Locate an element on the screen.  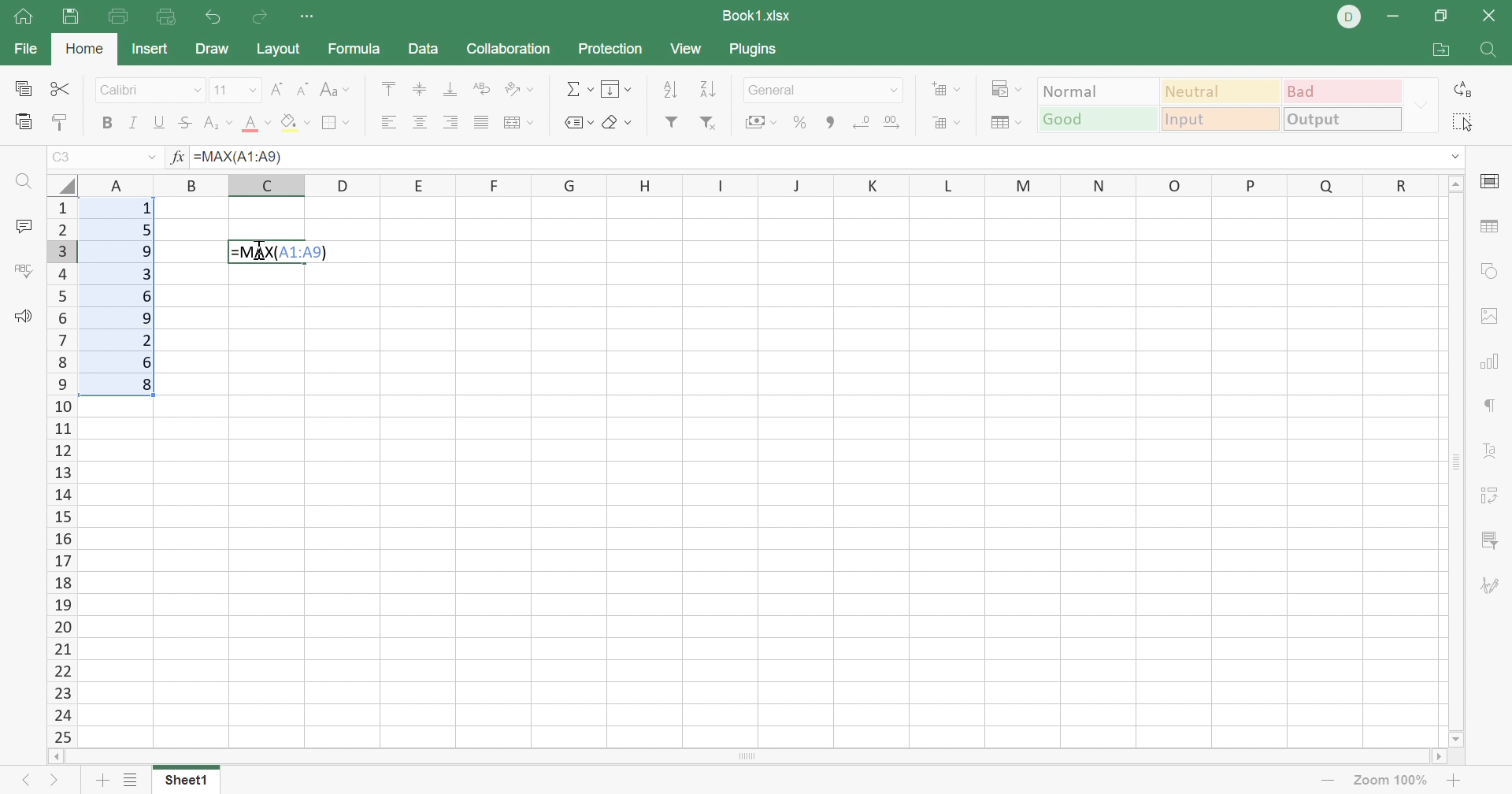
Select all is located at coordinates (1462, 121).